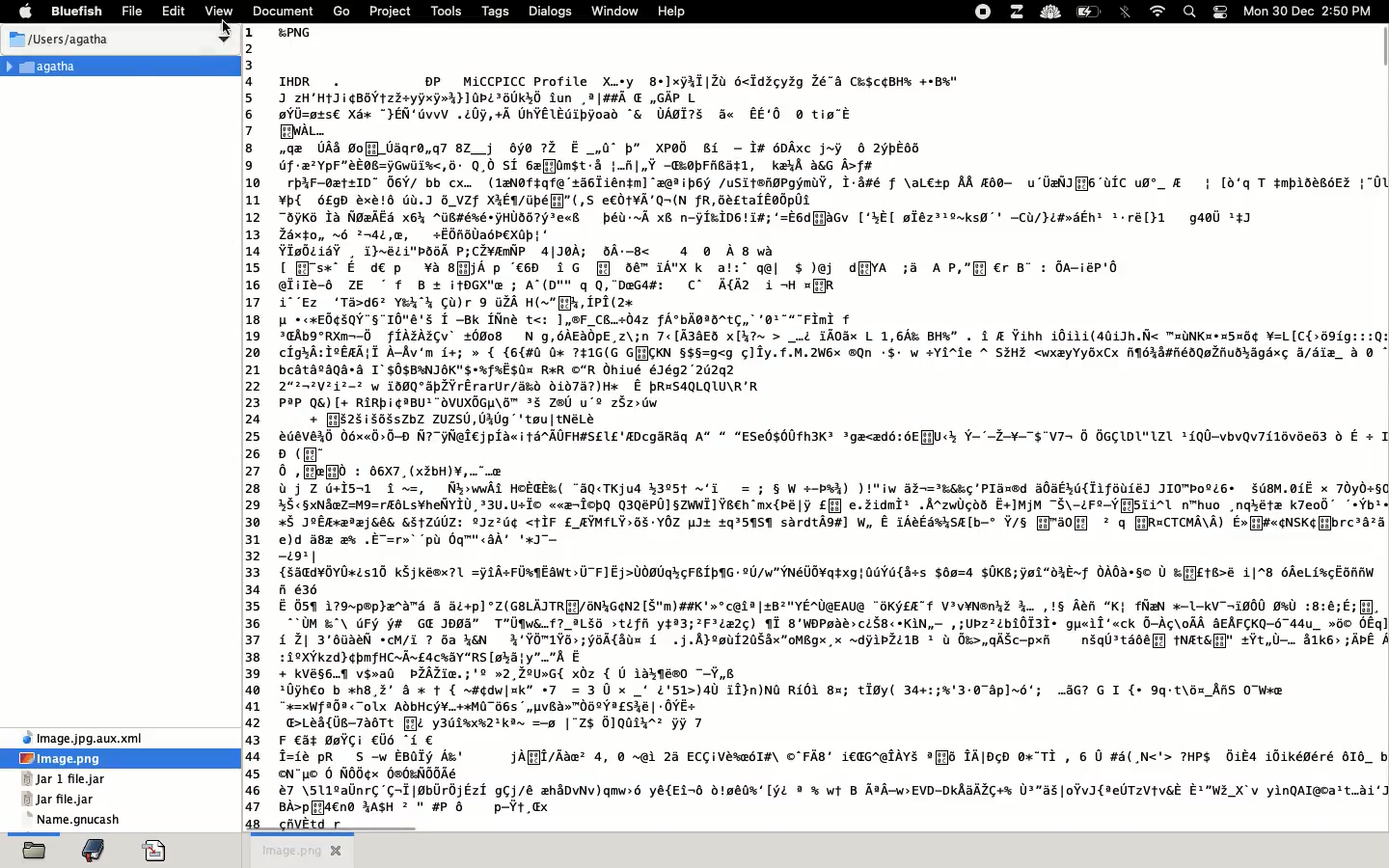 Image resolution: width=1389 pixels, height=868 pixels. I want to click on xml, so click(80, 738).